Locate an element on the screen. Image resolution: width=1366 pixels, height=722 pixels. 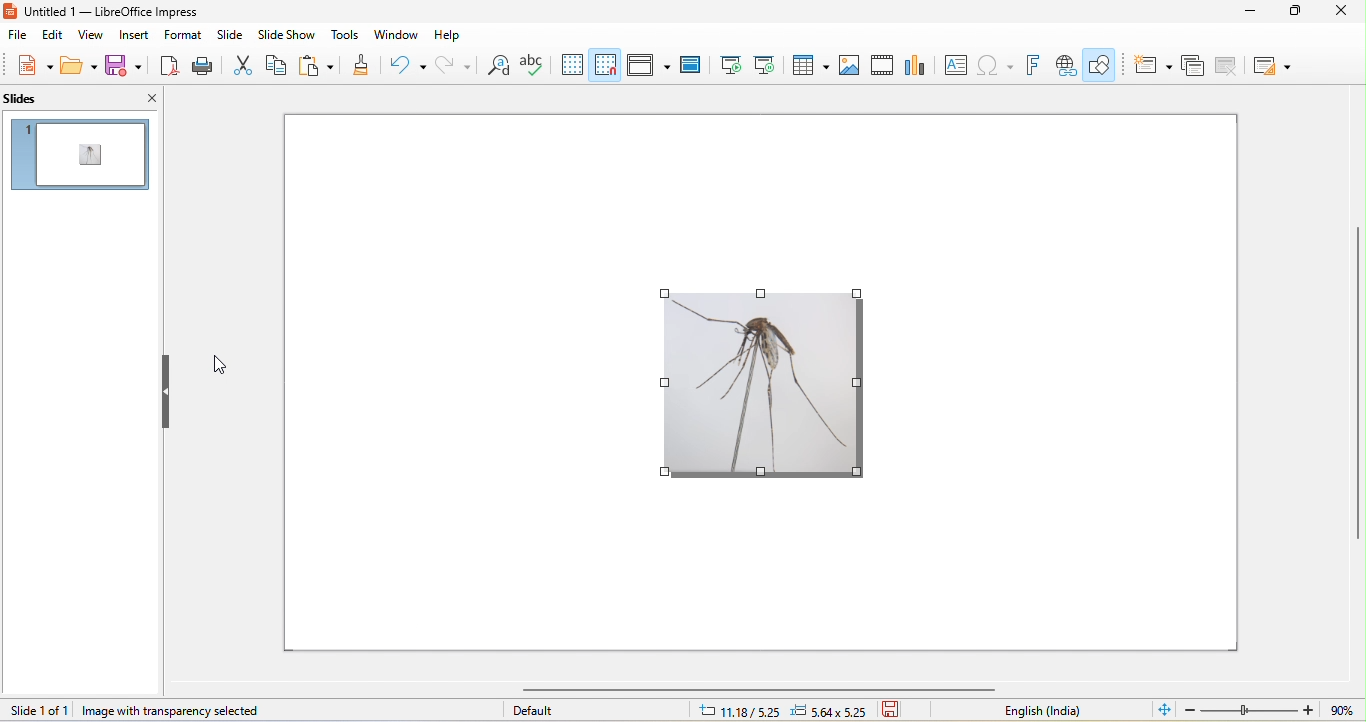
vertical scroll is located at coordinates (1357, 383).